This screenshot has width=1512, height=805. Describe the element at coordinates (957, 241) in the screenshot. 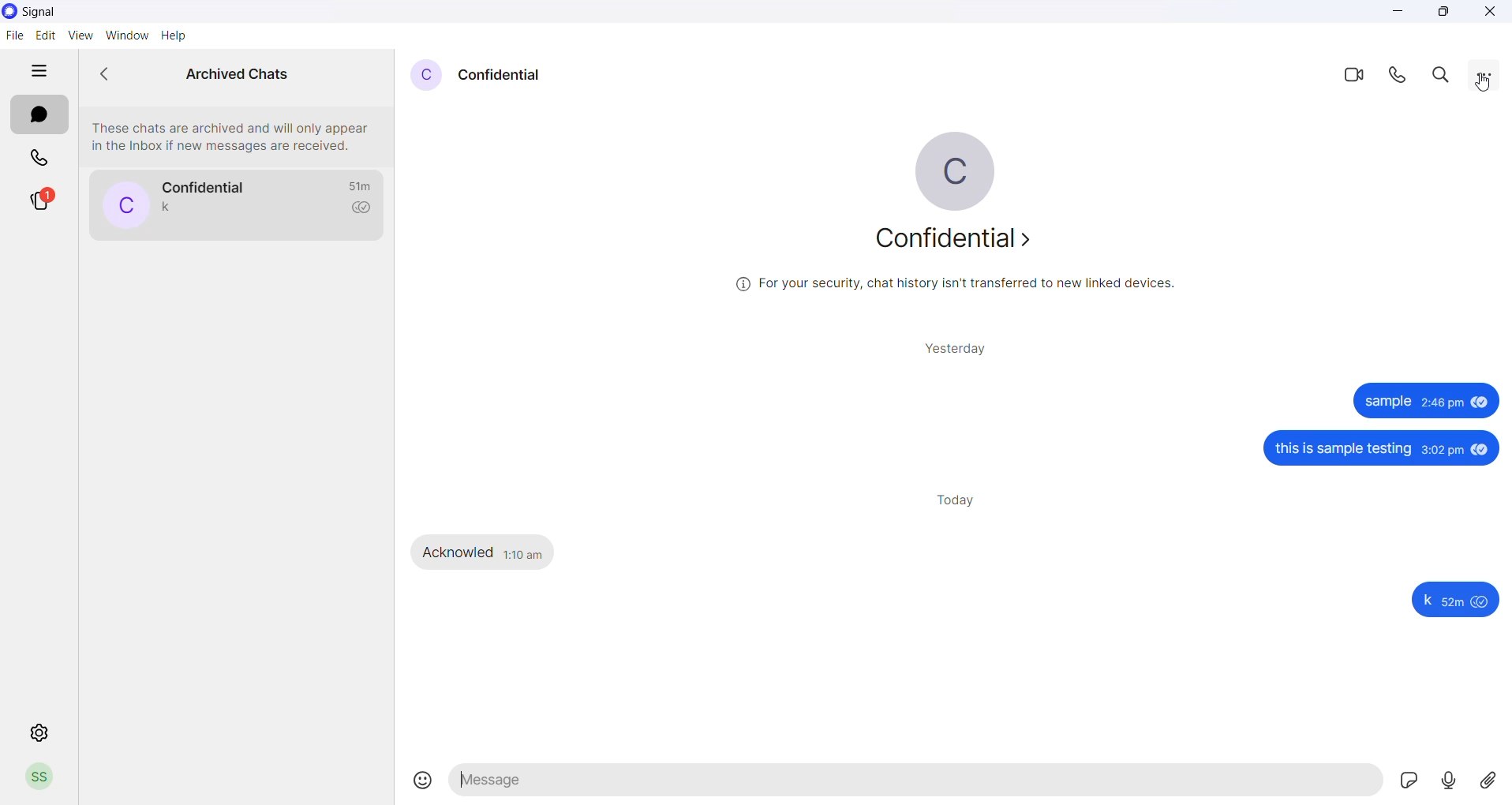

I see `about contact` at that location.